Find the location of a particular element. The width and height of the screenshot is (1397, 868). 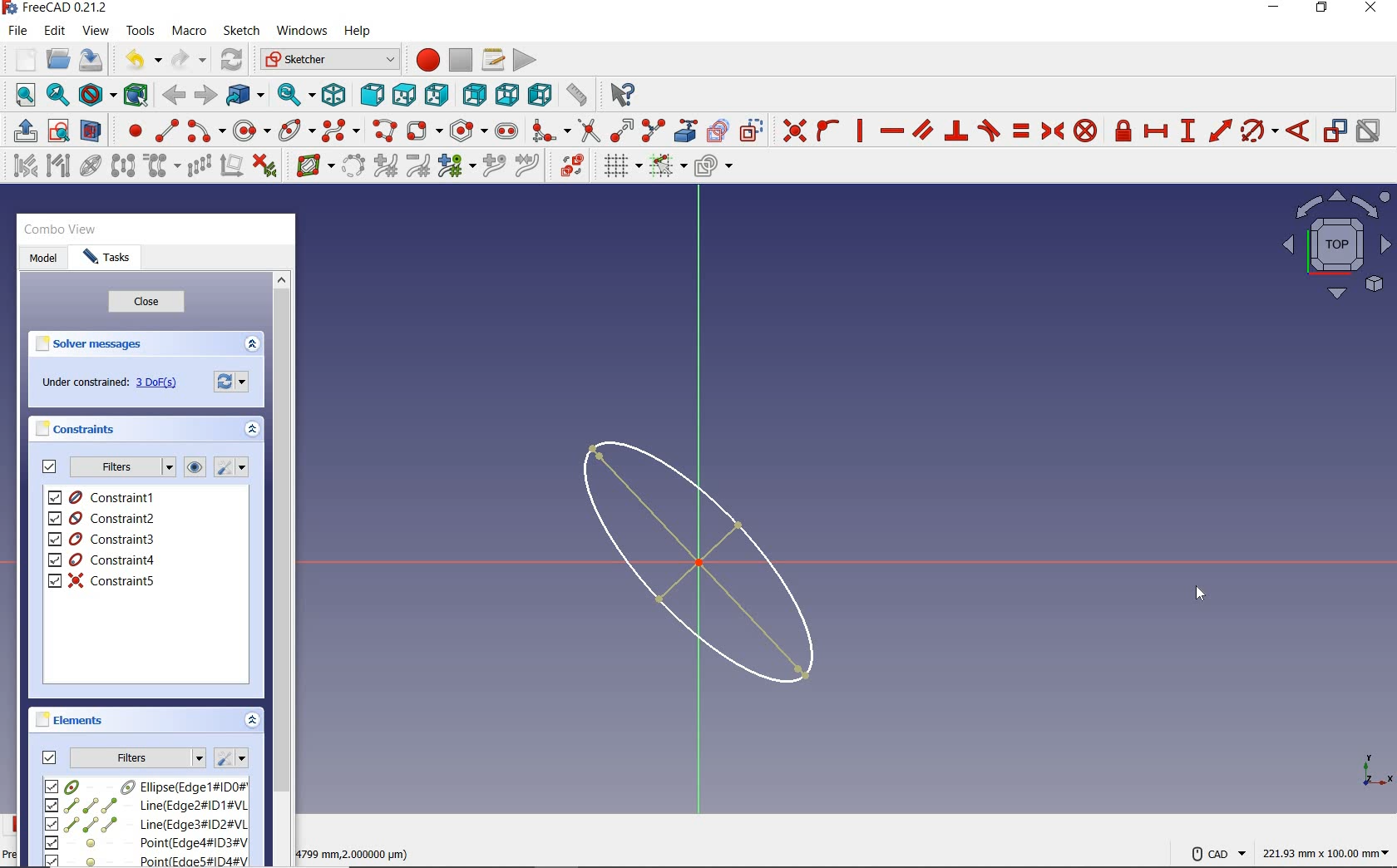

select associated geometry is located at coordinates (58, 167).